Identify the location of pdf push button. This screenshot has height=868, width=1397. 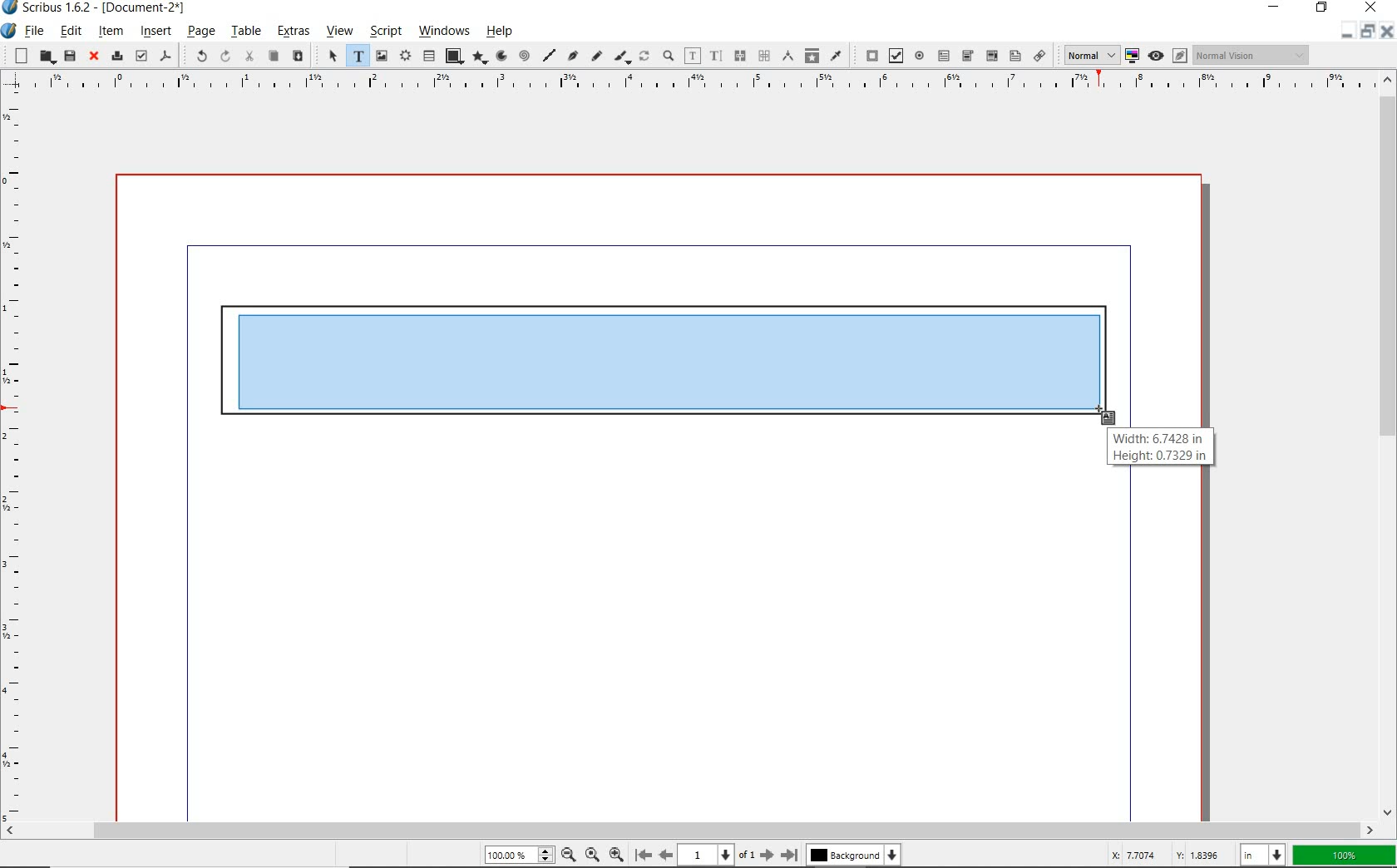
(867, 55).